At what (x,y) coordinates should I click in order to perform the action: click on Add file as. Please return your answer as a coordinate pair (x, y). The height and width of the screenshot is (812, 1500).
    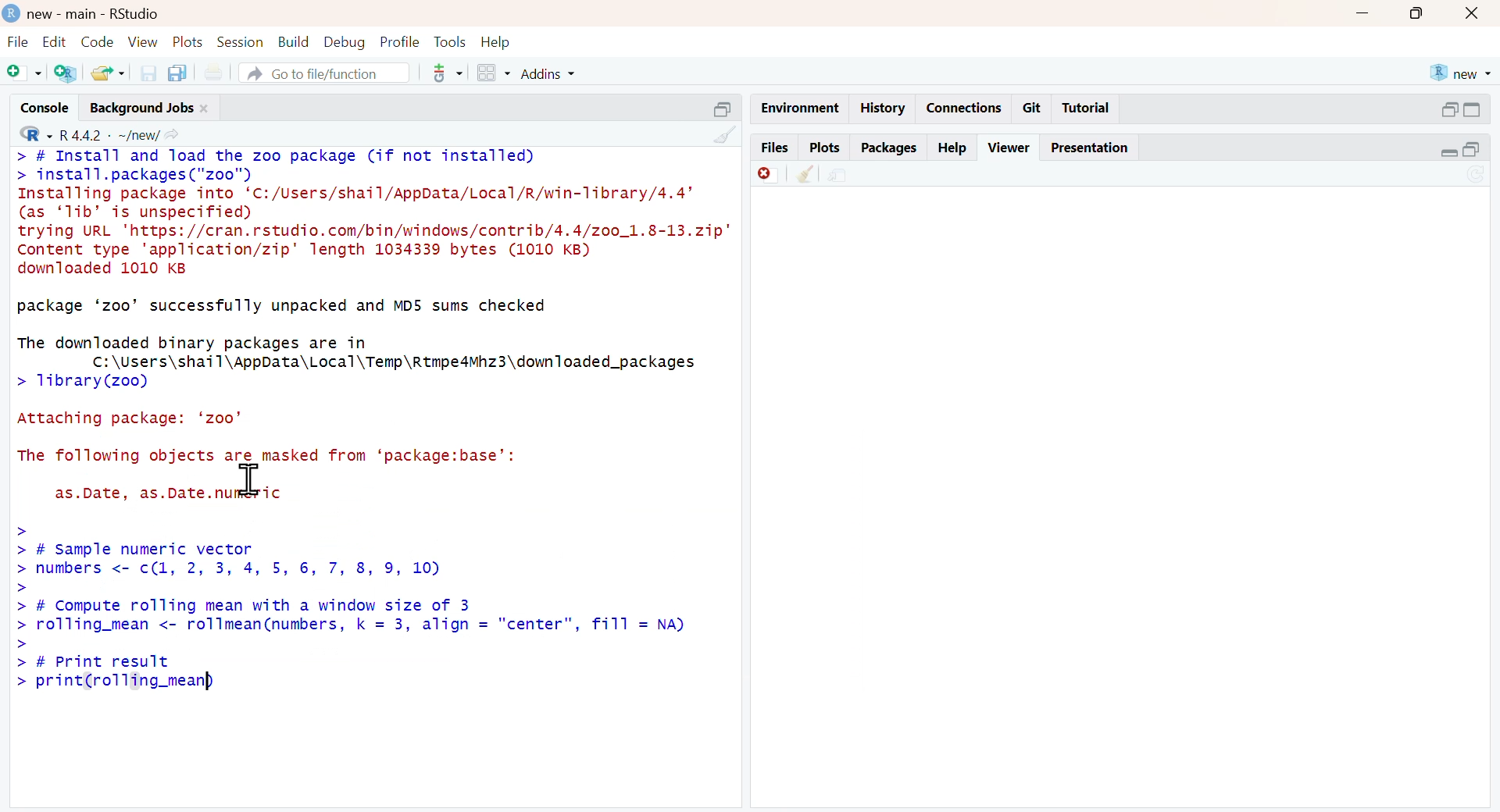
    Looking at the image, I should click on (25, 73).